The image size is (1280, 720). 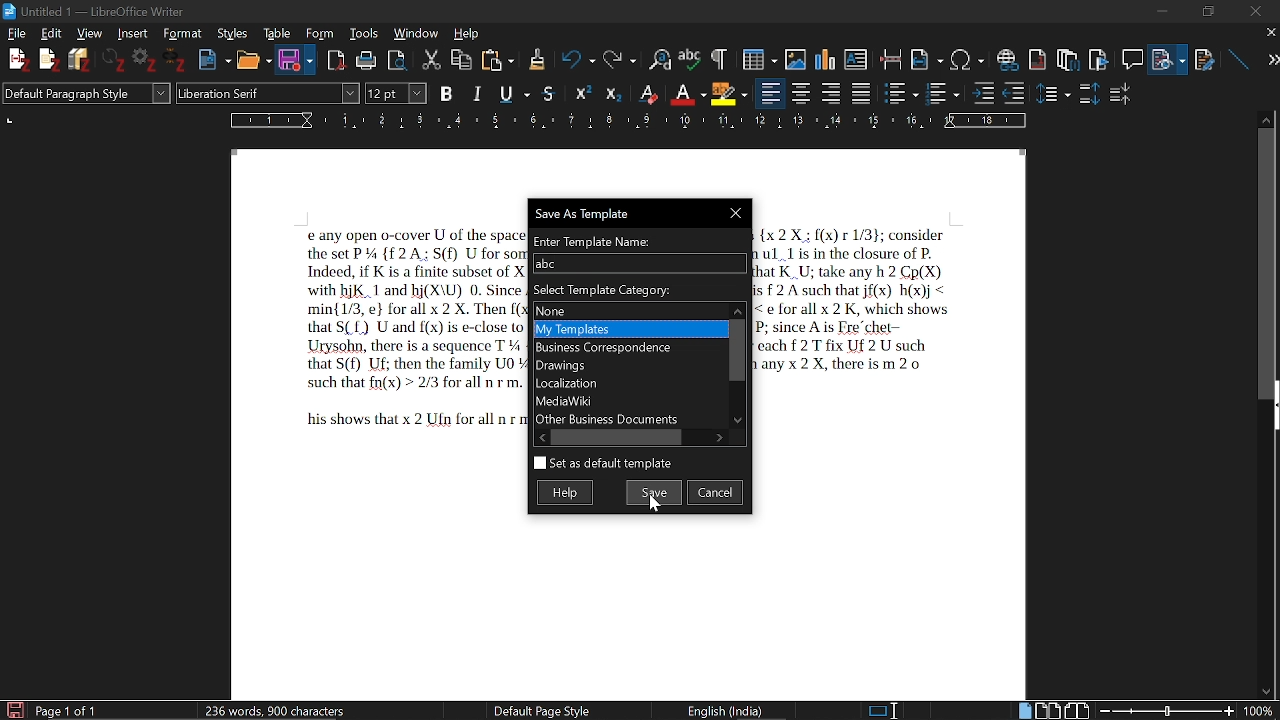 What do you see at coordinates (19, 34) in the screenshot?
I see `File` at bounding box center [19, 34].